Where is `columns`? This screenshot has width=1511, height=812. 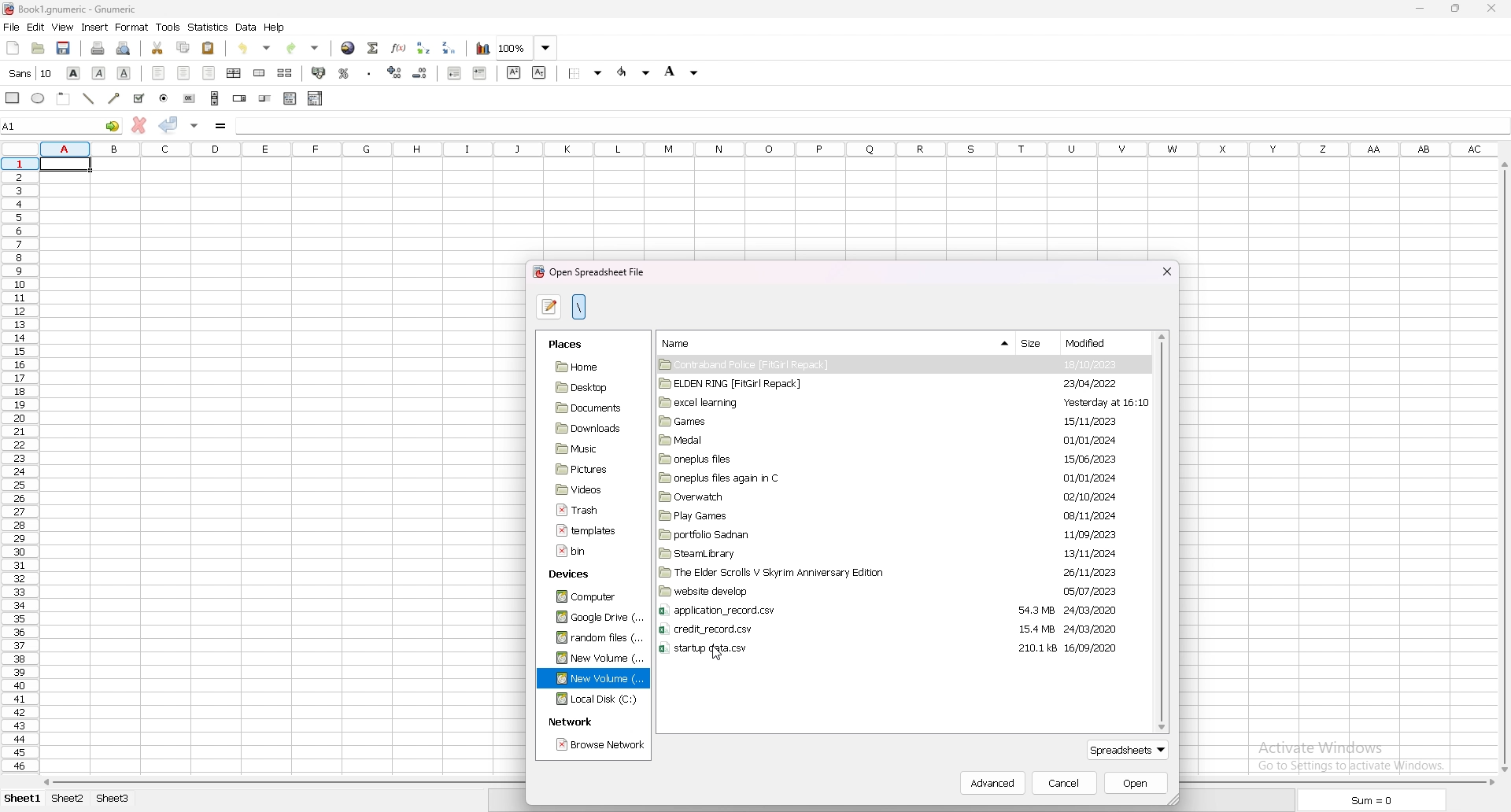 columns is located at coordinates (767, 149).